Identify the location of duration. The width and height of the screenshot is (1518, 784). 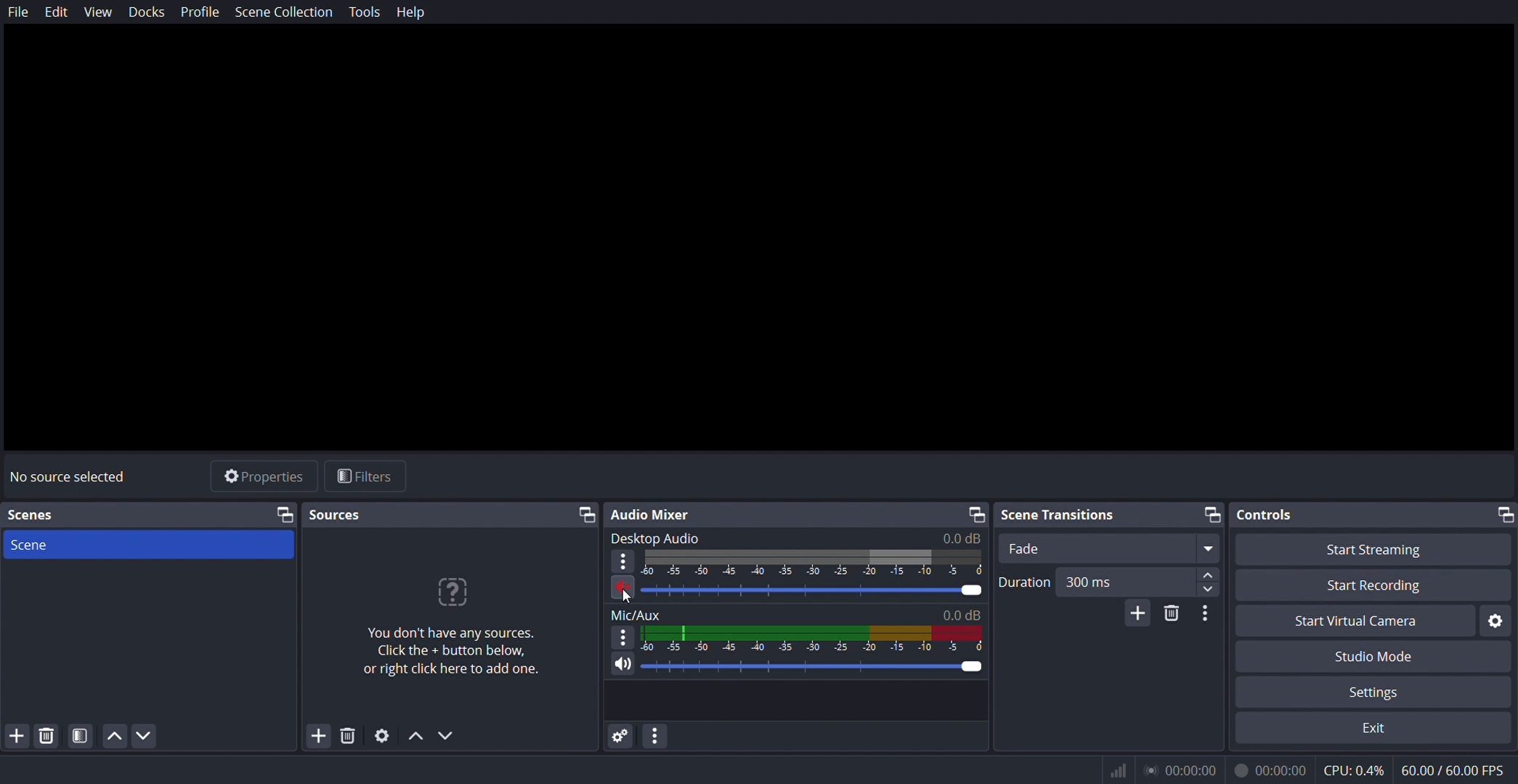
(1109, 581).